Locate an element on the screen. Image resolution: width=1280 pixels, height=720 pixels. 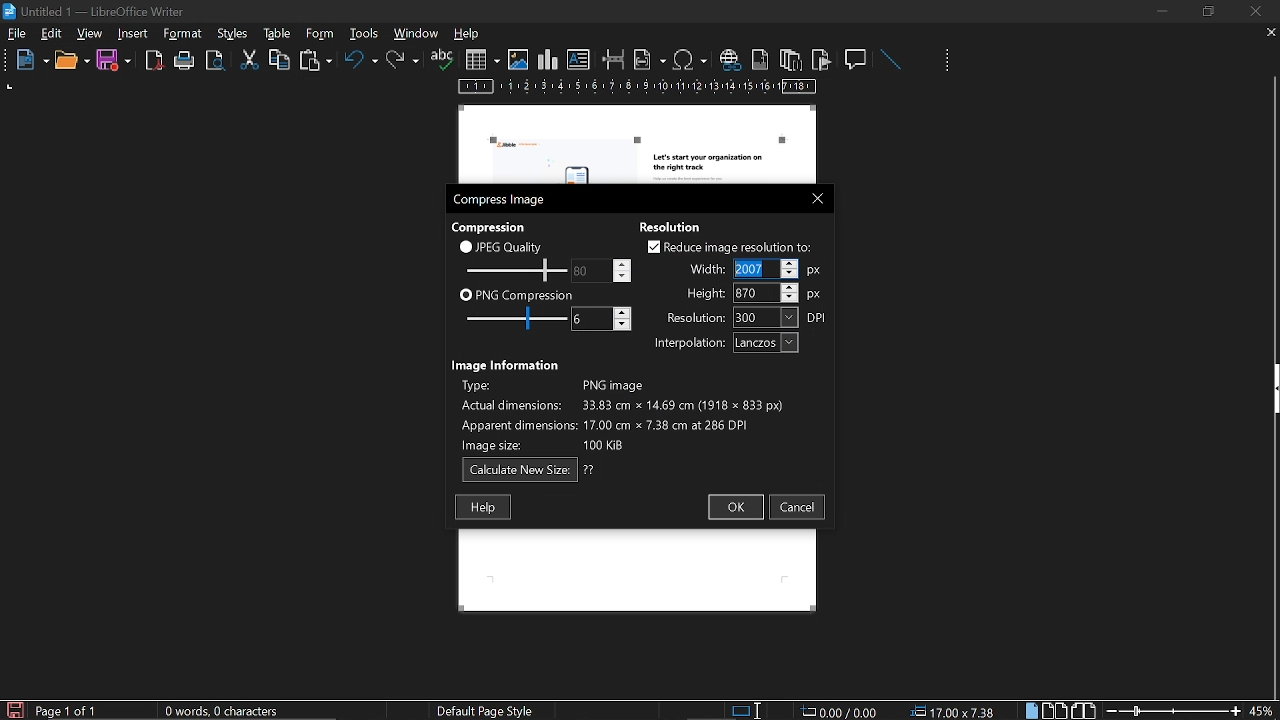
page style is located at coordinates (489, 710).